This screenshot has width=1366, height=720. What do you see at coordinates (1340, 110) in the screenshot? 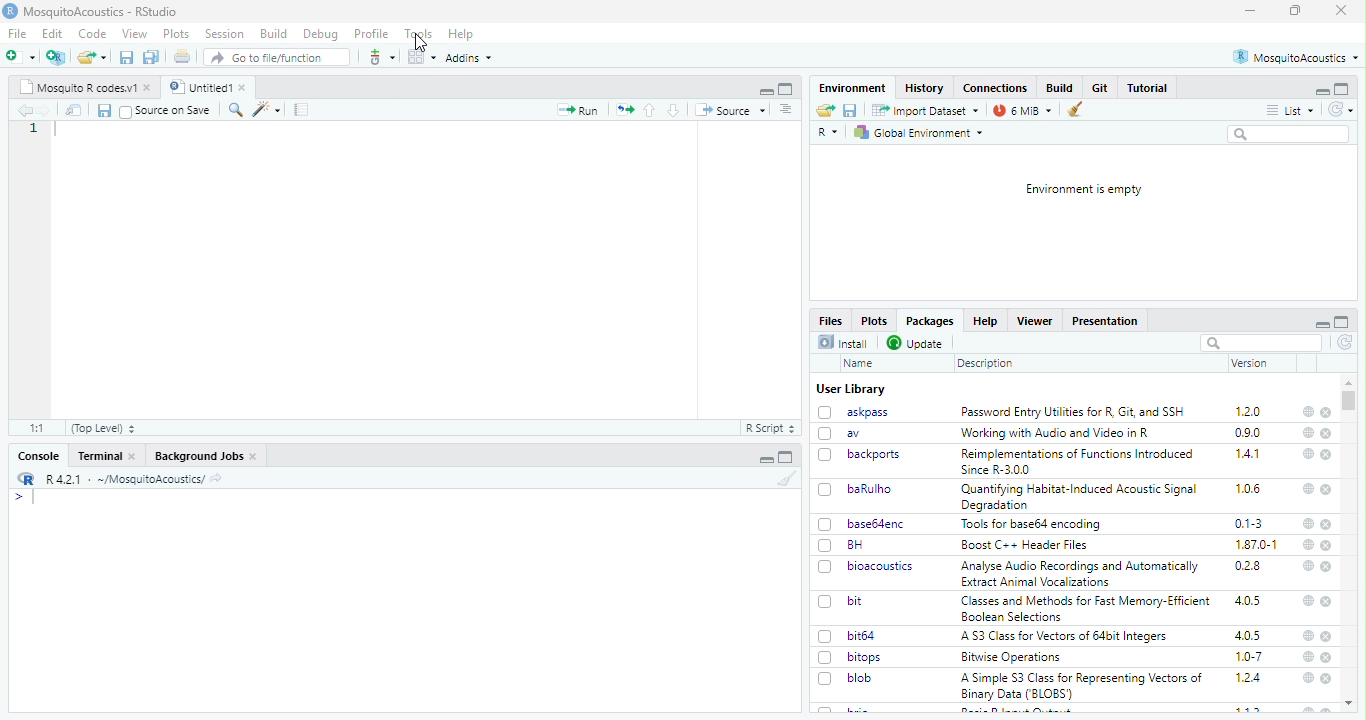
I see `sync` at bounding box center [1340, 110].